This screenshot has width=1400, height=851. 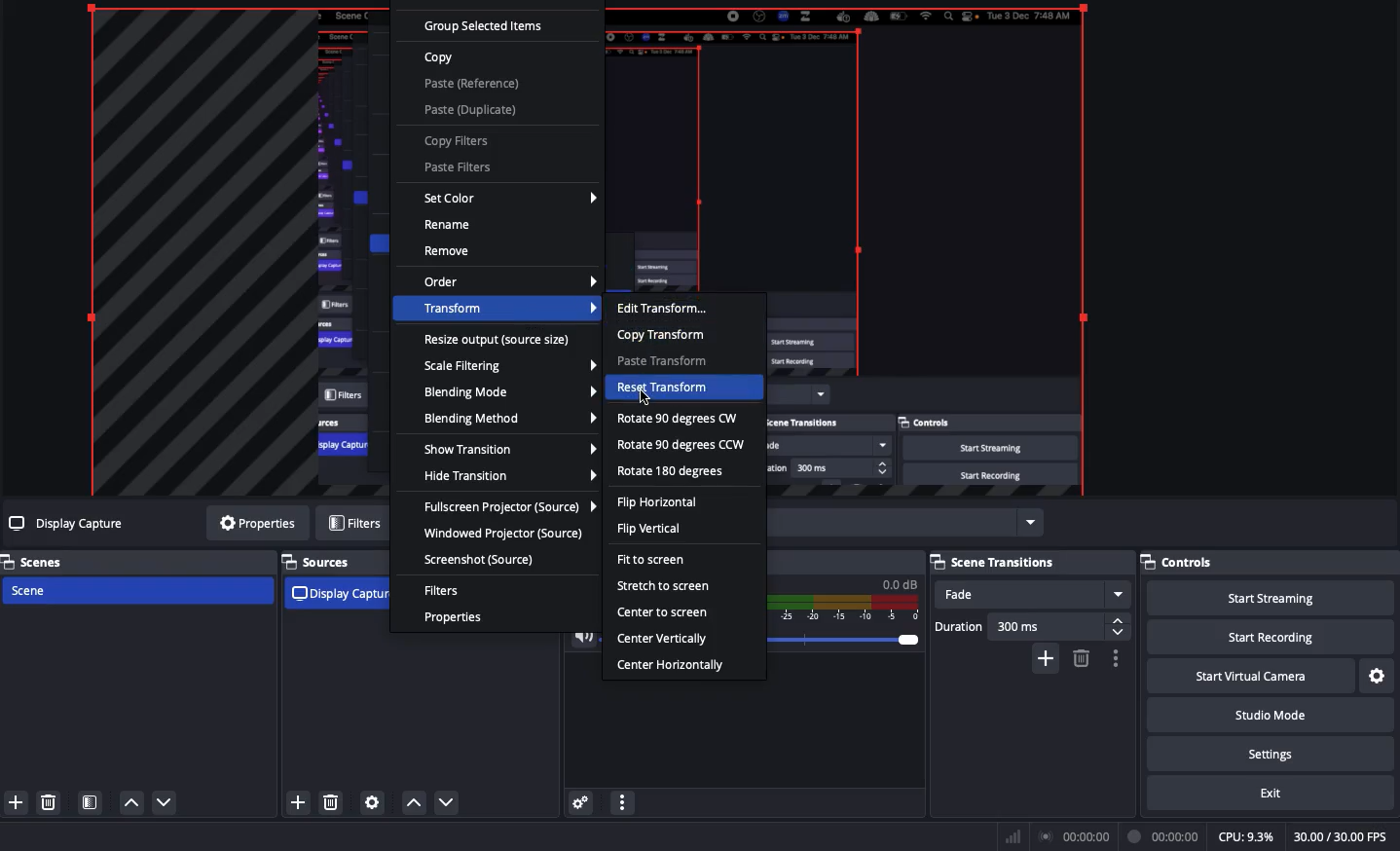 What do you see at coordinates (501, 340) in the screenshot?
I see `Resize output` at bounding box center [501, 340].